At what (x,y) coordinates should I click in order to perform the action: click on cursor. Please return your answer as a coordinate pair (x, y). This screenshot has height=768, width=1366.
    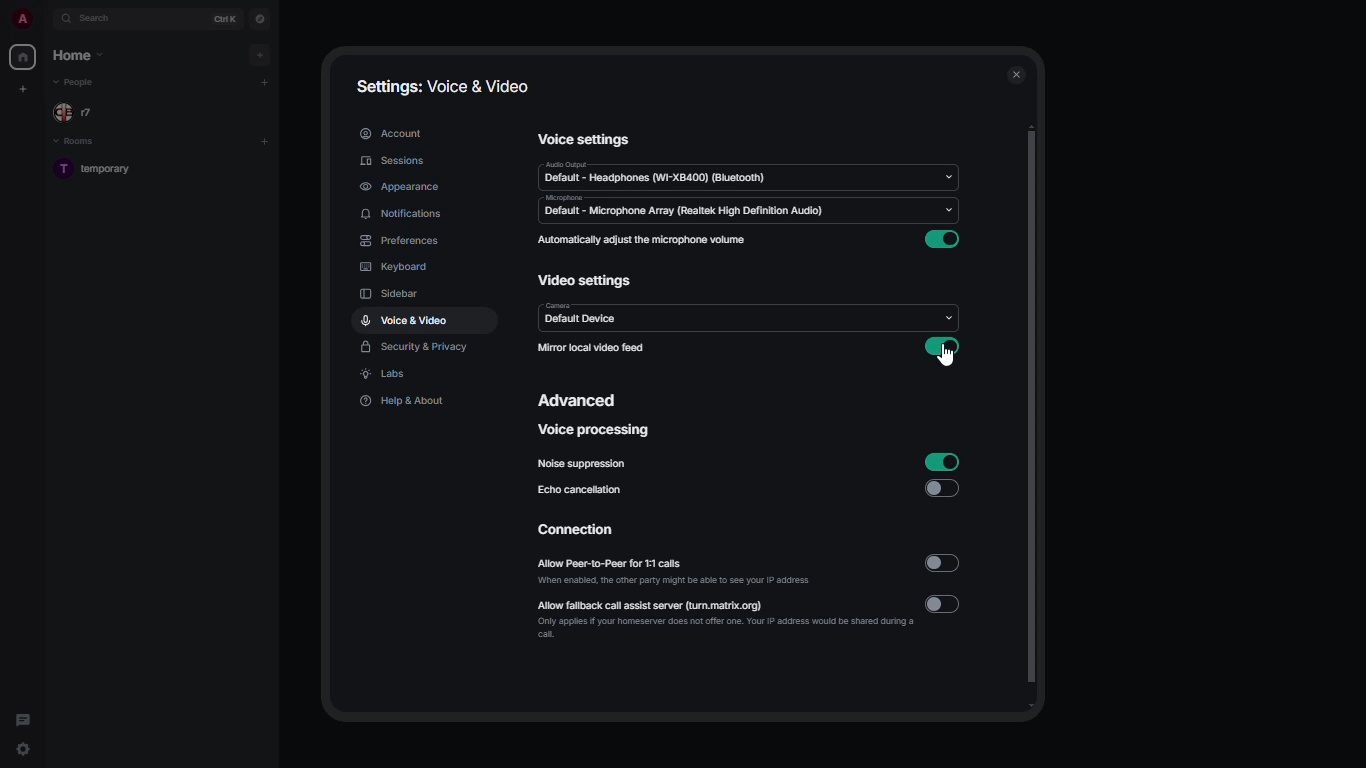
    Looking at the image, I should click on (950, 362).